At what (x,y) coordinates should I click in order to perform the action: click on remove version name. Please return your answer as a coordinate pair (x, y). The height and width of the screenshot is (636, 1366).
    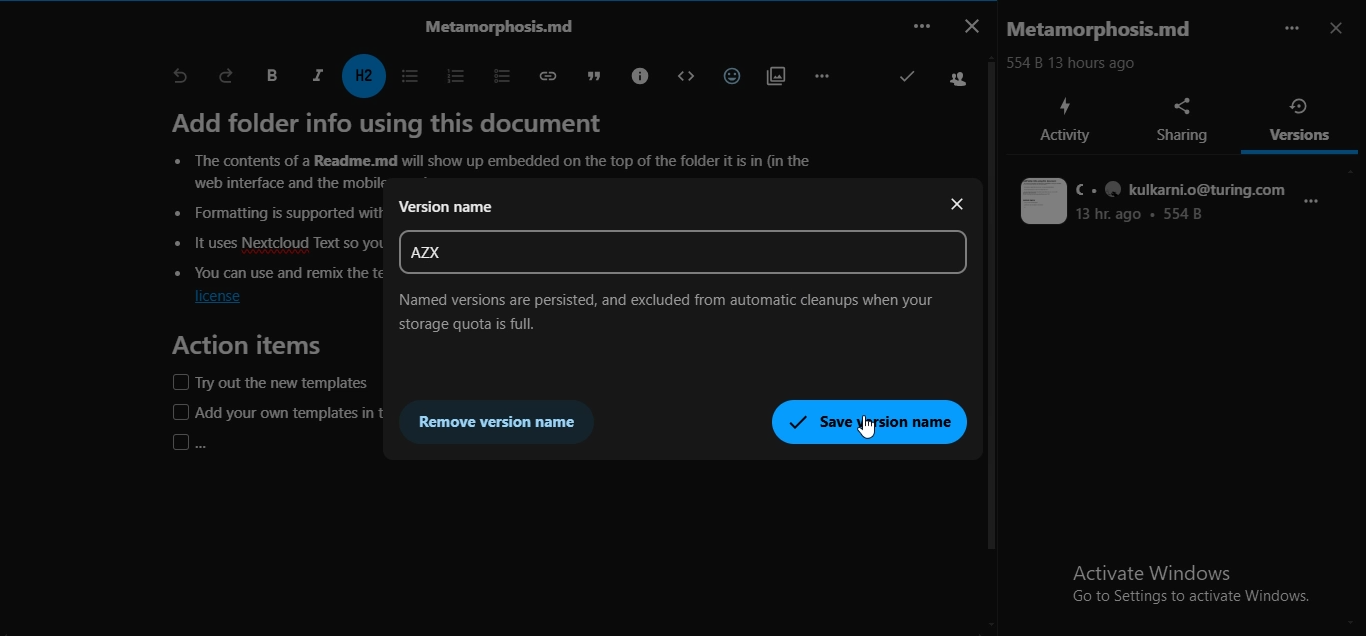
    Looking at the image, I should click on (503, 420).